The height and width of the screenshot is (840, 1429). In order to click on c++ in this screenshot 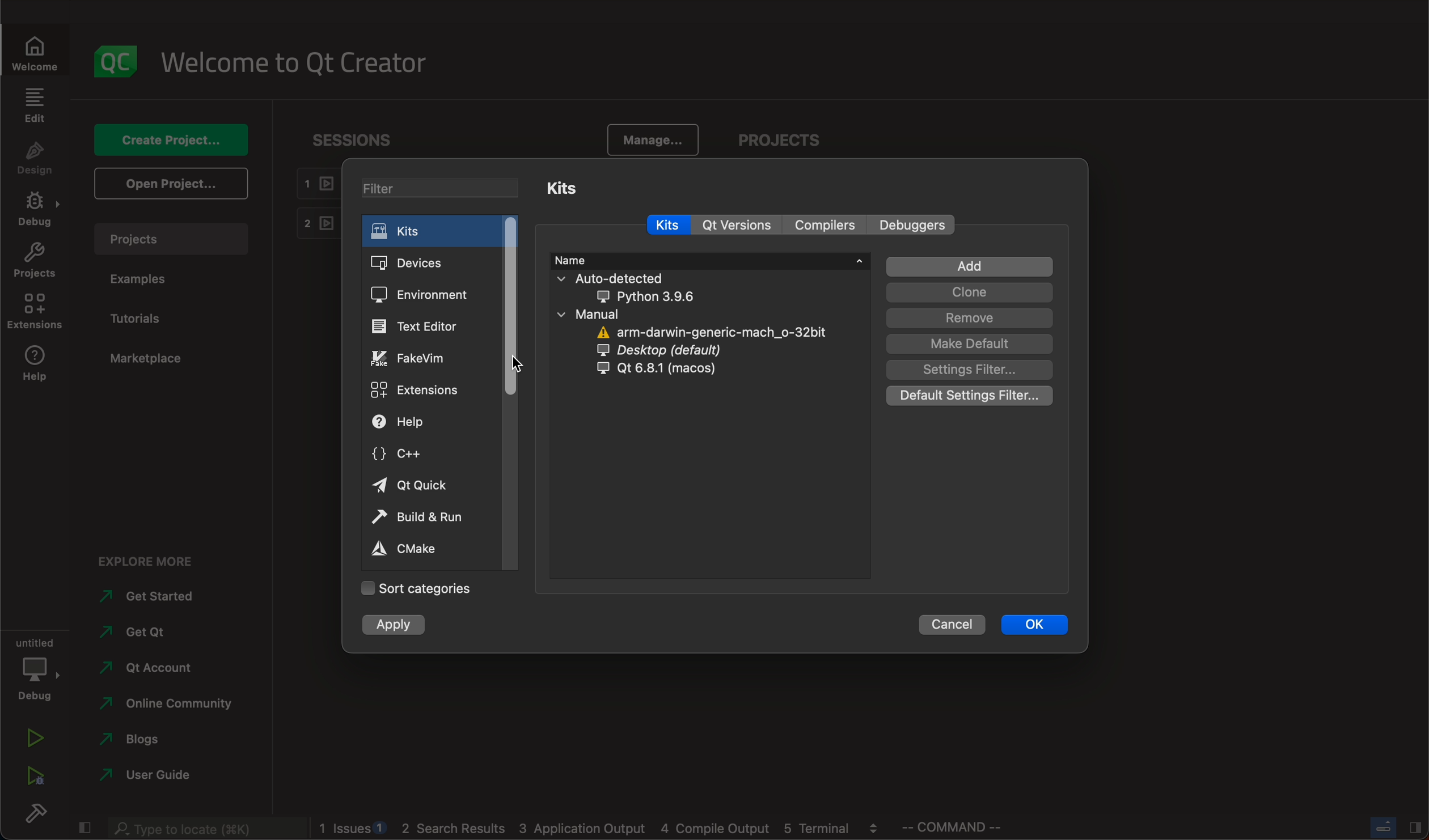, I will do `click(406, 455)`.